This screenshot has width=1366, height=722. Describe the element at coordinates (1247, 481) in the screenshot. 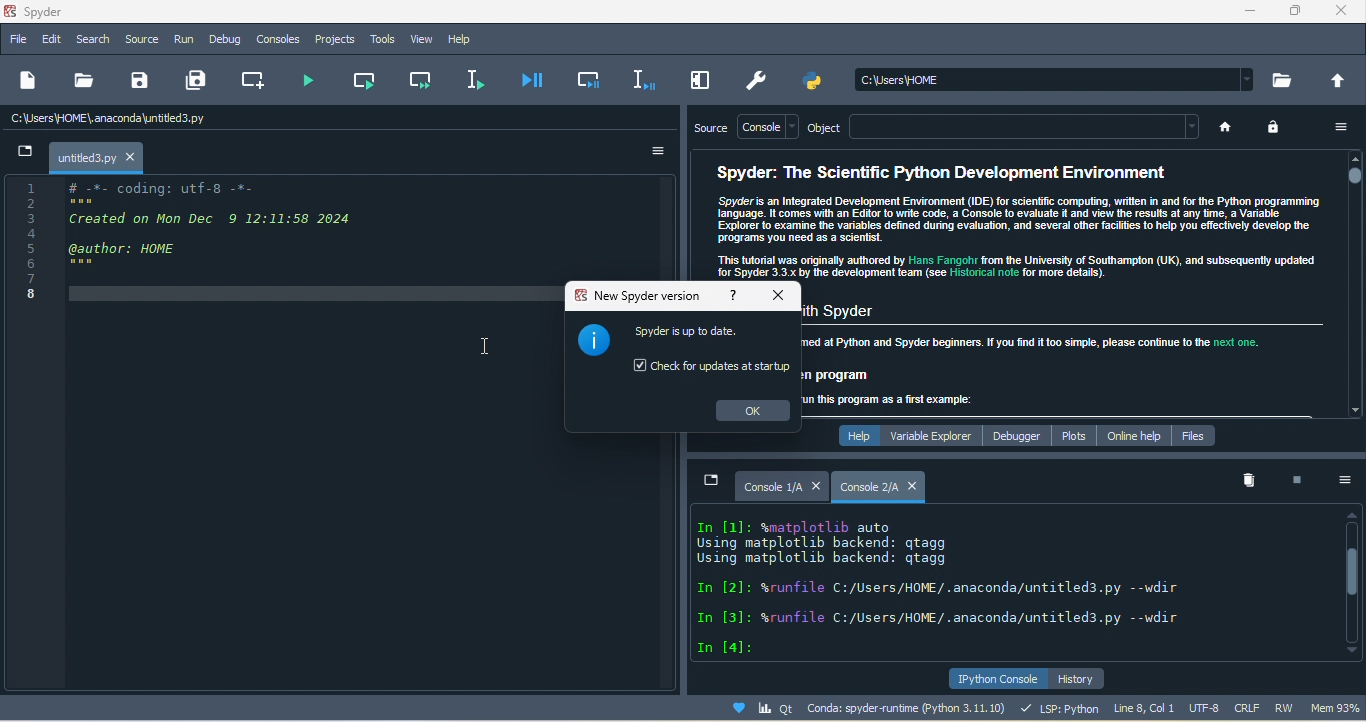

I see `remove all` at that location.